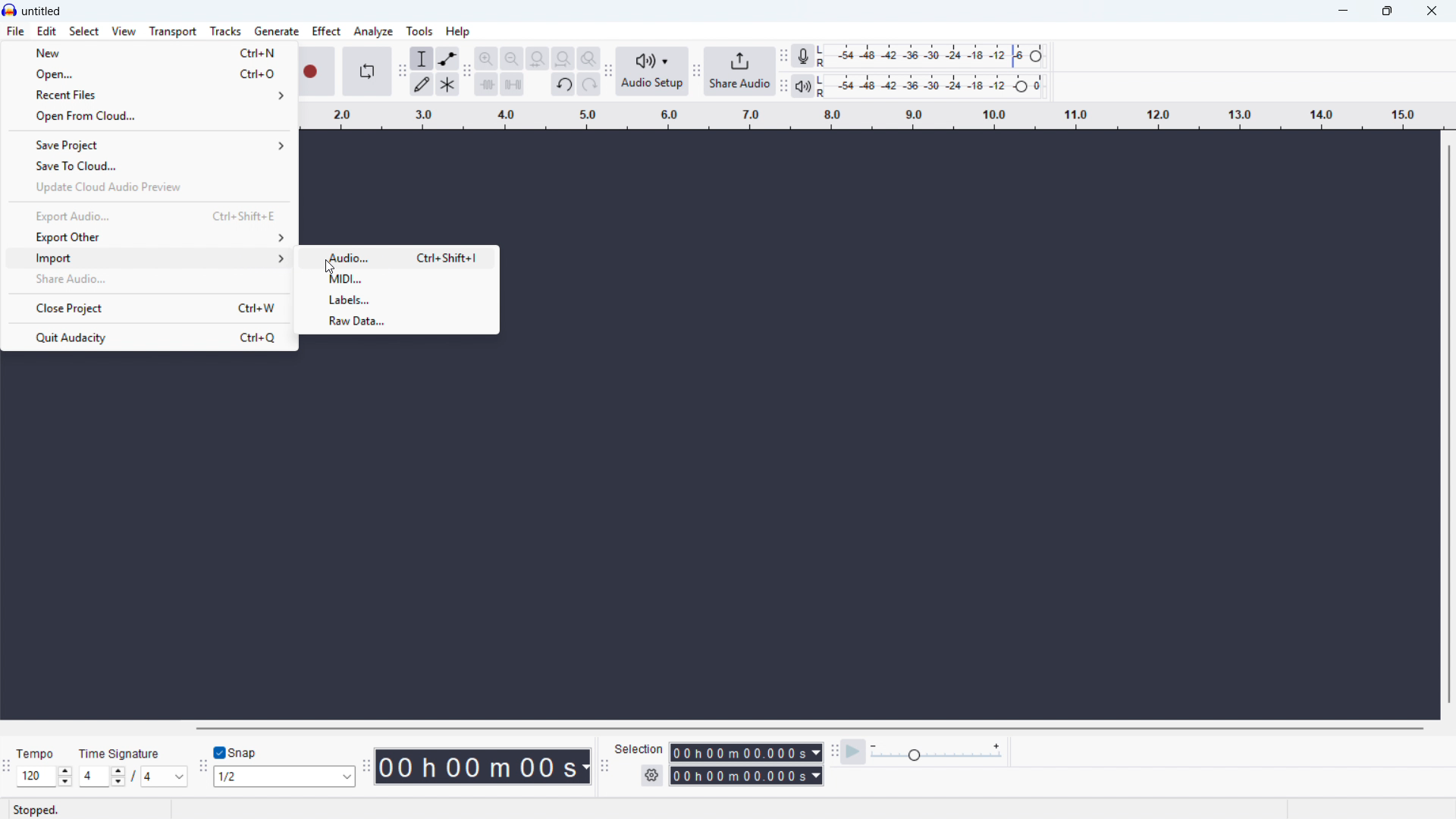 Image resolution: width=1456 pixels, height=819 pixels. Describe the element at coordinates (513, 85) in the screenshot. I see `Silence audio selection ` at that location.